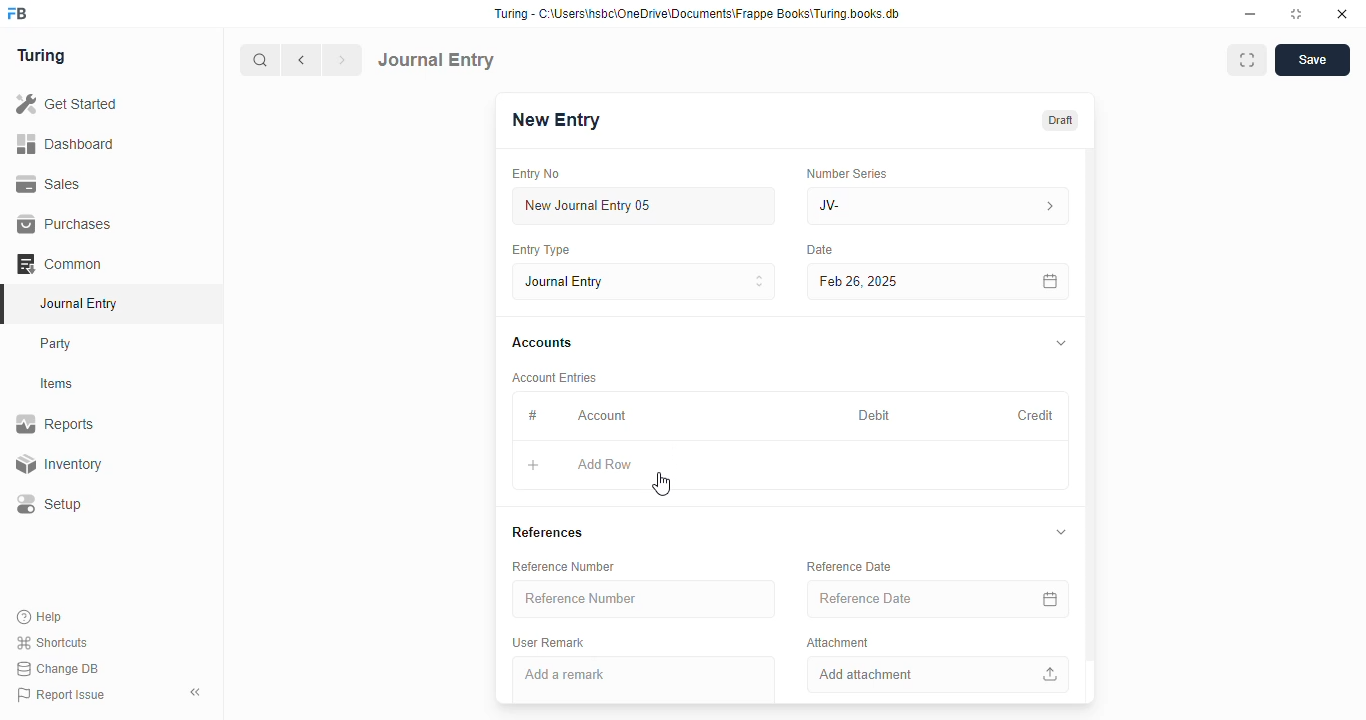 Image resolution: width=1366 pixels, height=720 pixels. I want to click on help, so click(41, 616).